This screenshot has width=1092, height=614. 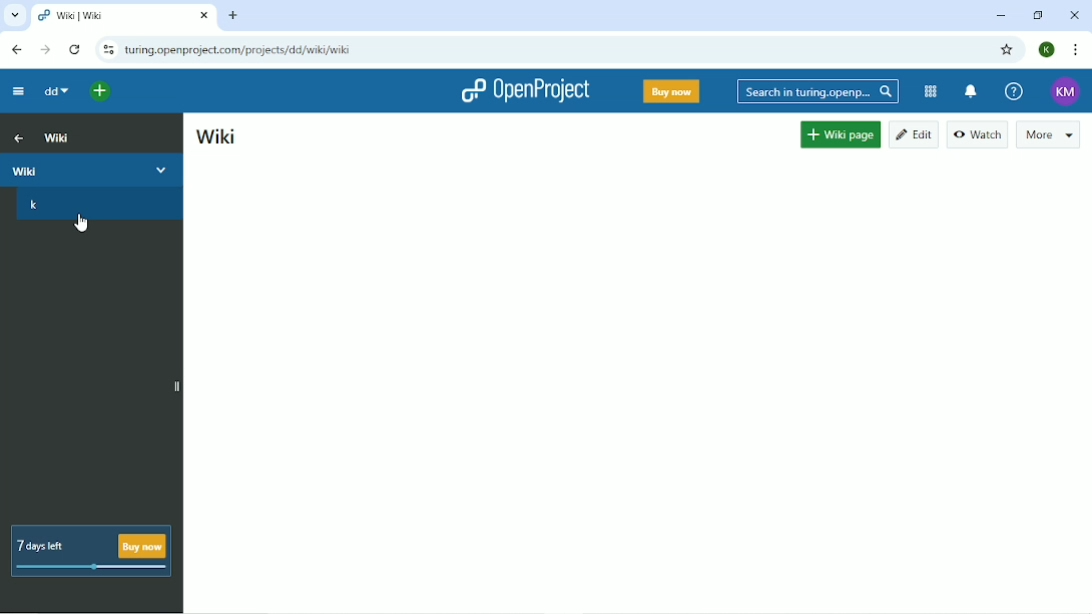 I want to click on turing.openproject.com/projects/dd/wiki/wiki, so click(x=246, y=50).